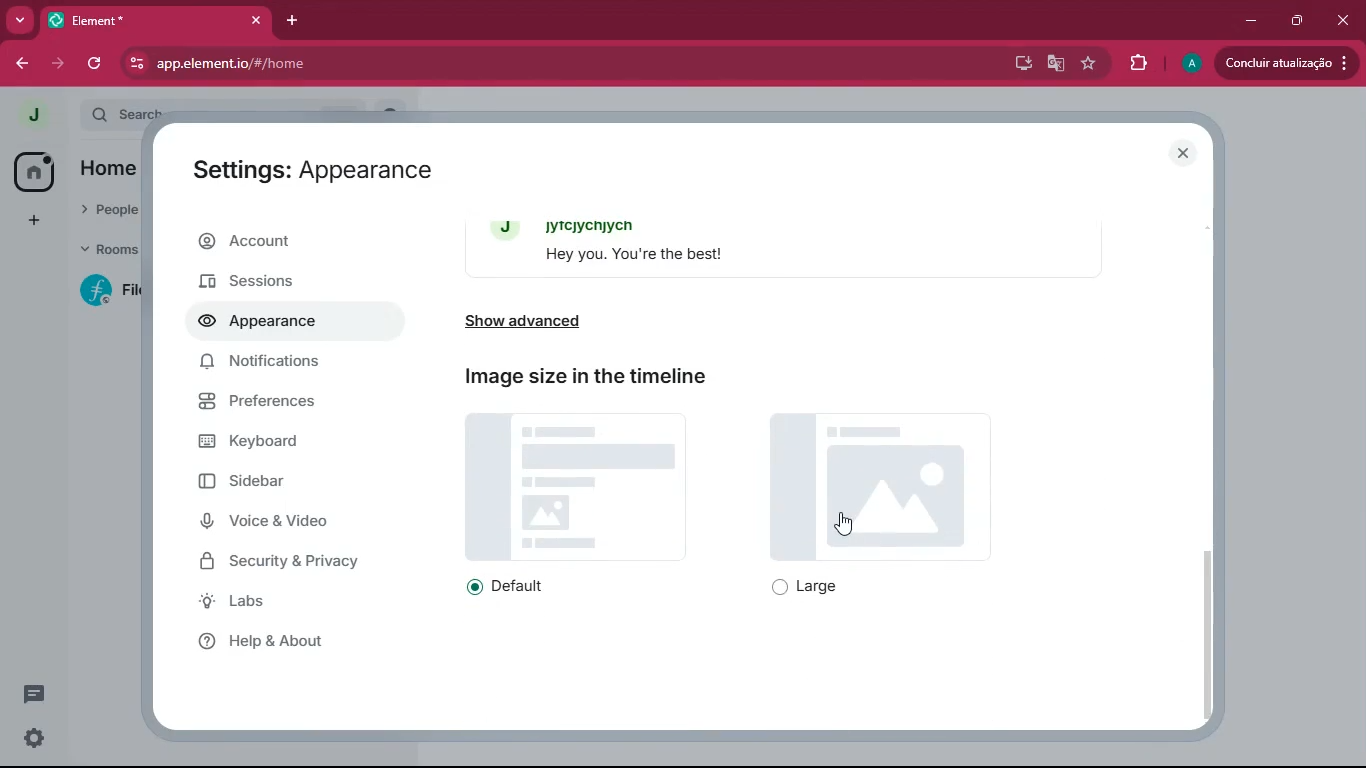 Image resolution: width=1366 pixels, height=768 pixels. Describe the element at coordinates (1019, 62) in the screenshot. I see `desktop` at that location.